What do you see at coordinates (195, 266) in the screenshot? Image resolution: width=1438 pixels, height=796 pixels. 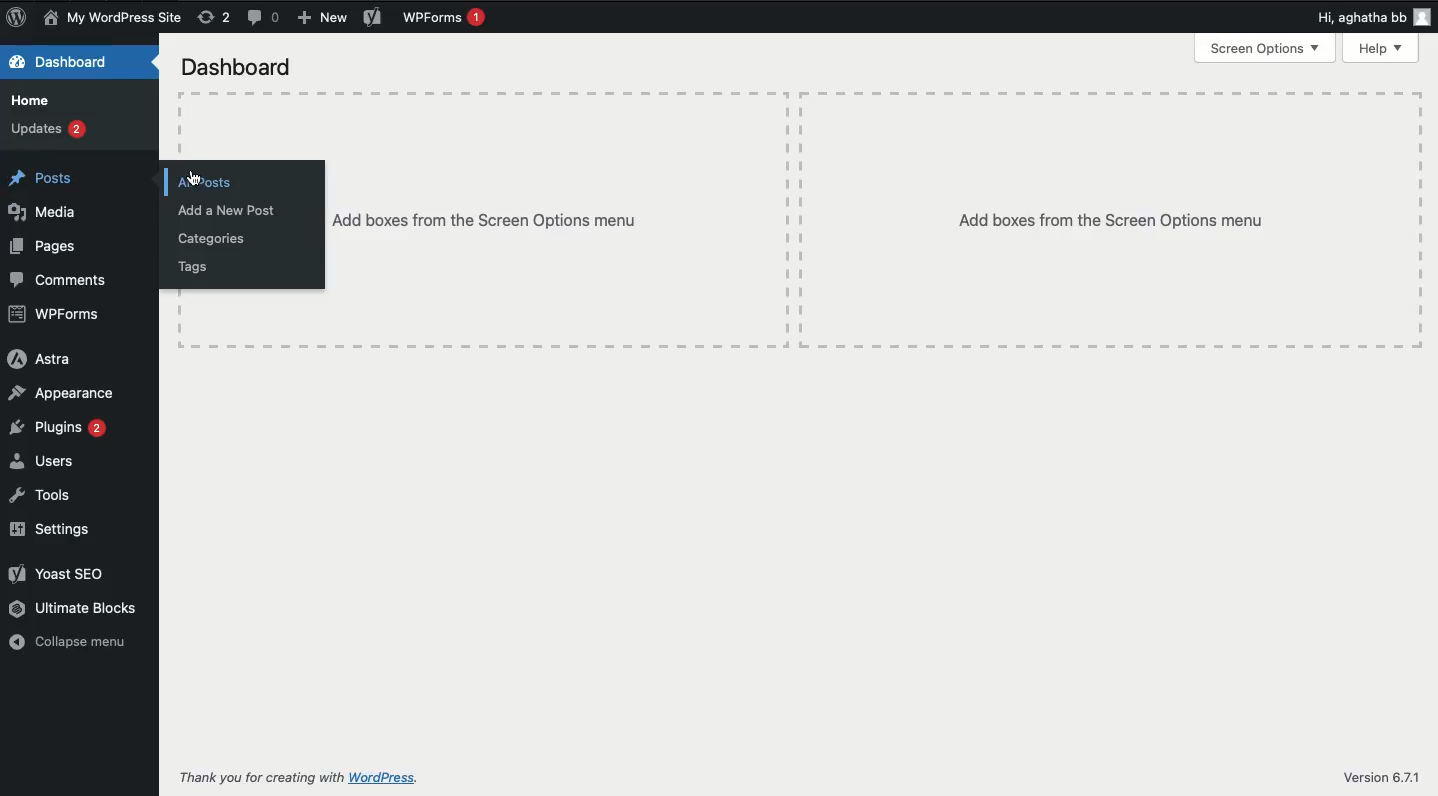 I see `Tags` at bounding box center [195, 266].